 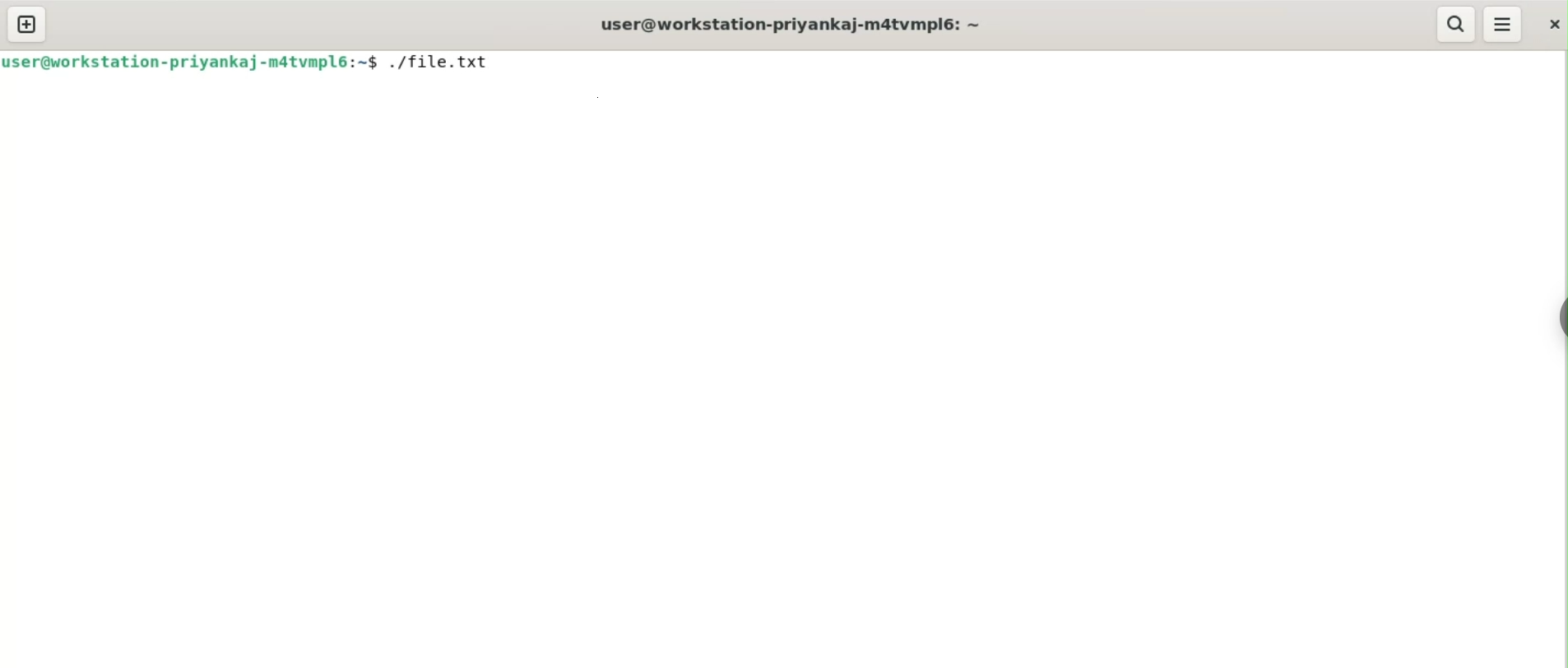 I want to click on close, so click(x=1552, y=25).